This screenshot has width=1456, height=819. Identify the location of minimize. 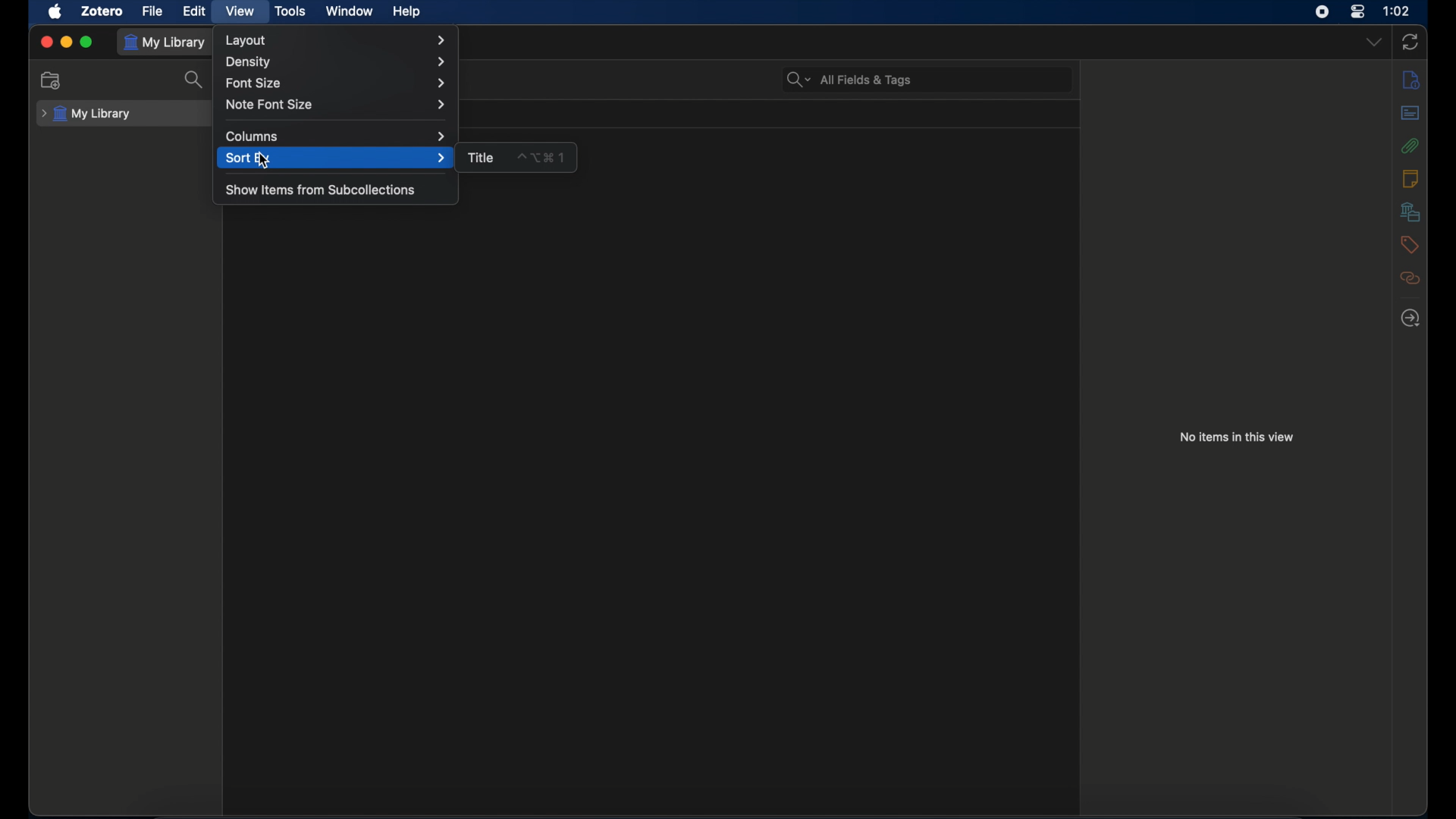
(67, 42).